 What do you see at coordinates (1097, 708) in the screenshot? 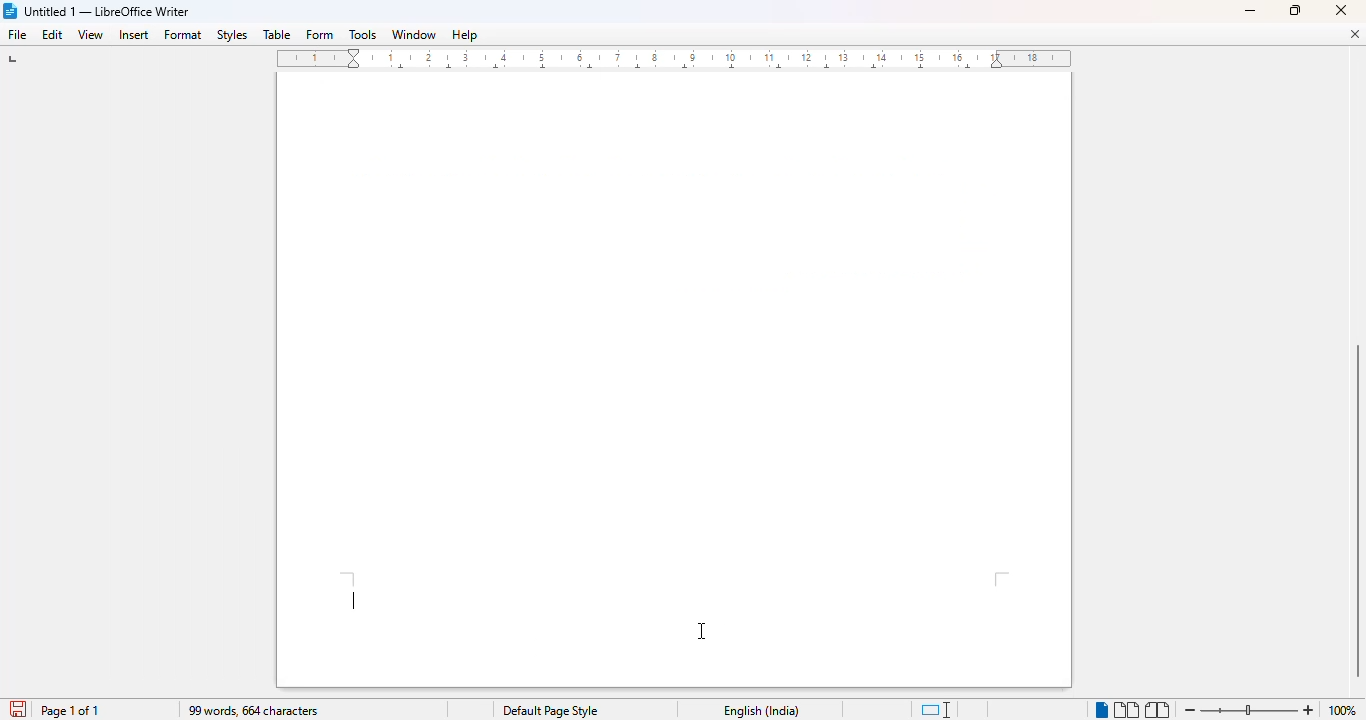
I see `single page view` at bounding box center [1097, 708].